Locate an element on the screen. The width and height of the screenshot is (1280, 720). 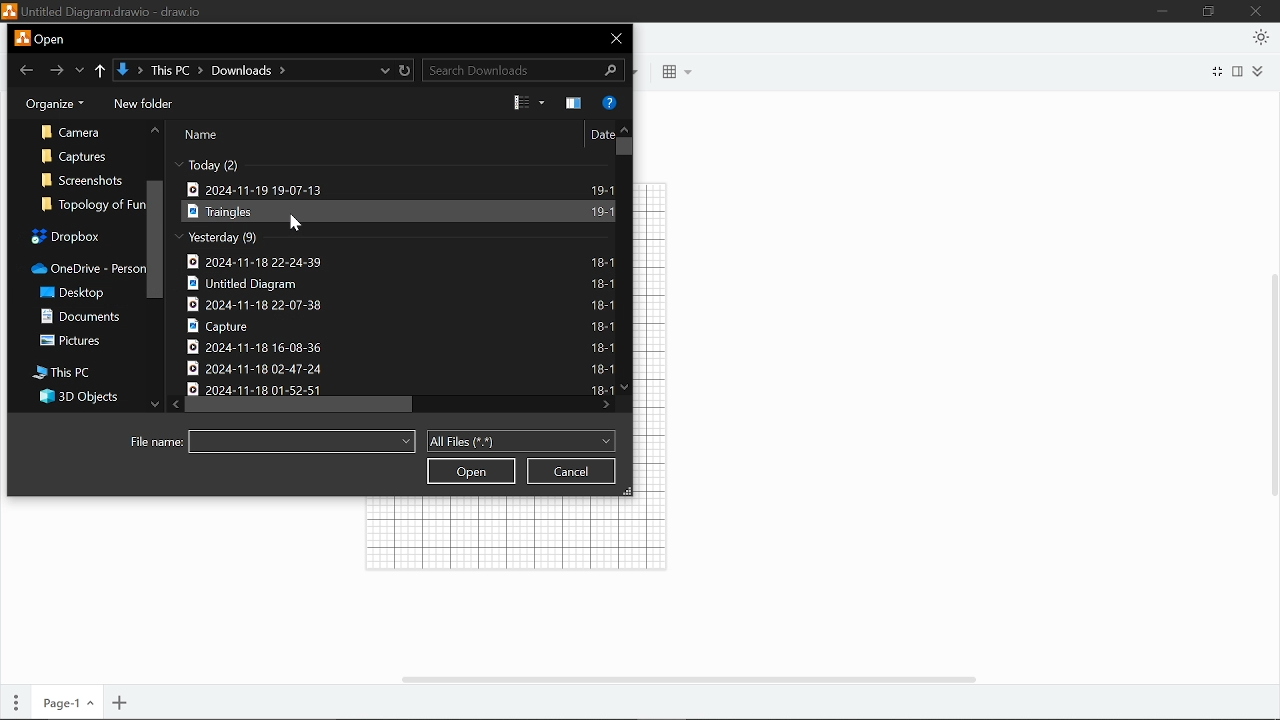
2024-11-19 19-07-13            19-1 is located at coordinates (399, 186).